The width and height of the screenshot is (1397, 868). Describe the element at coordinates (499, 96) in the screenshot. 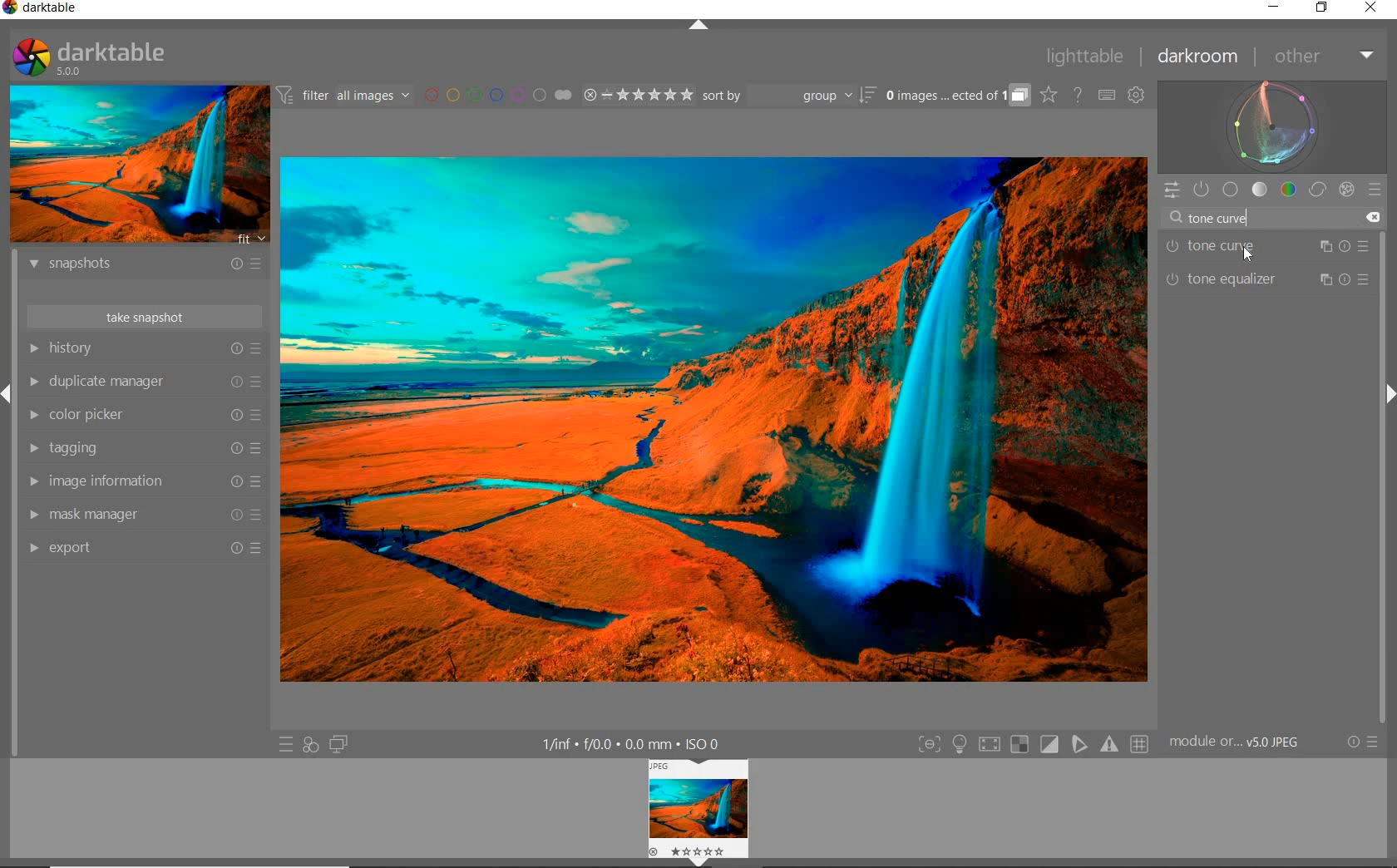

I see `FILTER BY IMAGE COLOR LABEL` at that location.